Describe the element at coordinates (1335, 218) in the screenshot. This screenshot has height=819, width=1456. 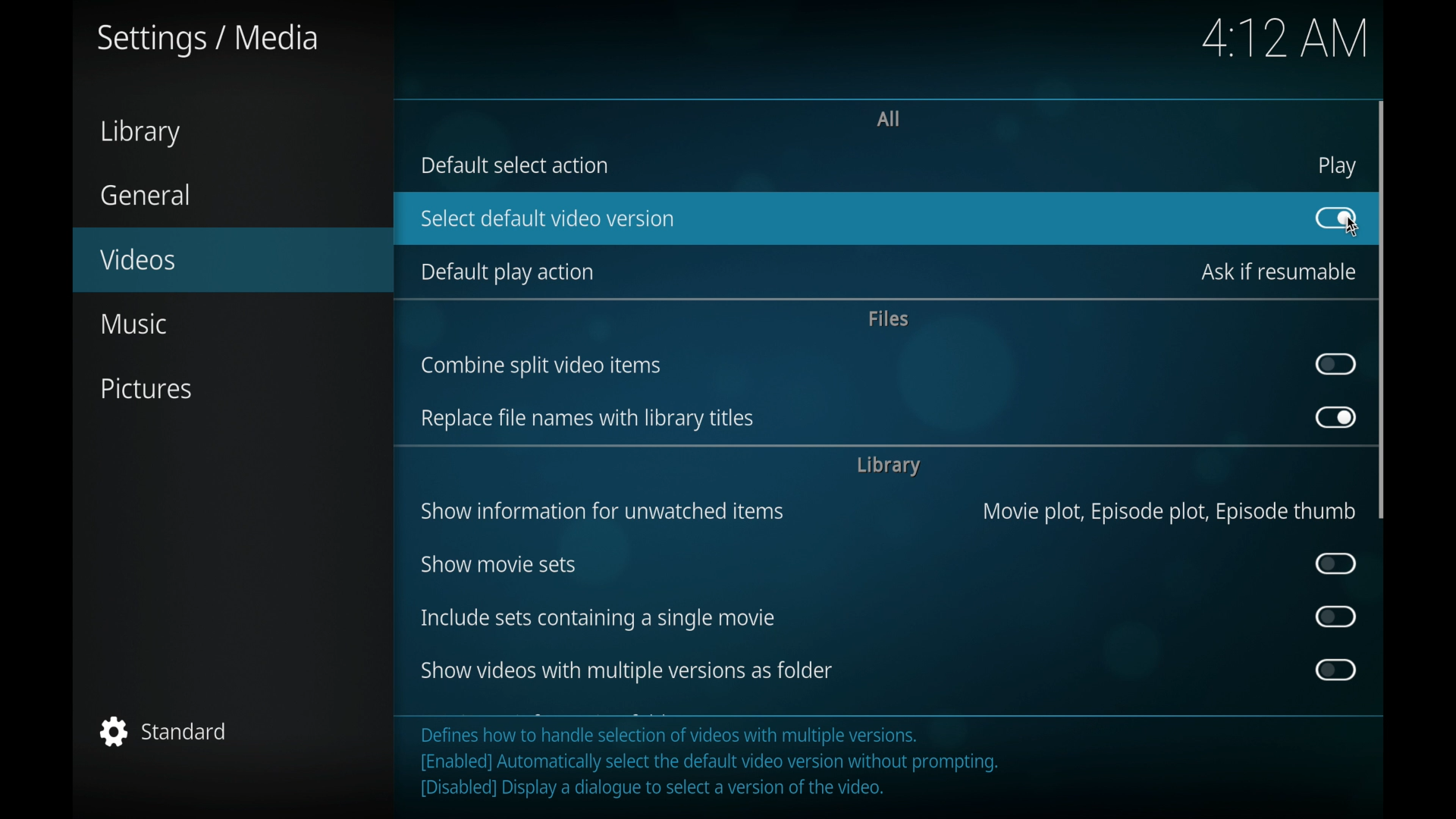
I see `toggle button` at that location.